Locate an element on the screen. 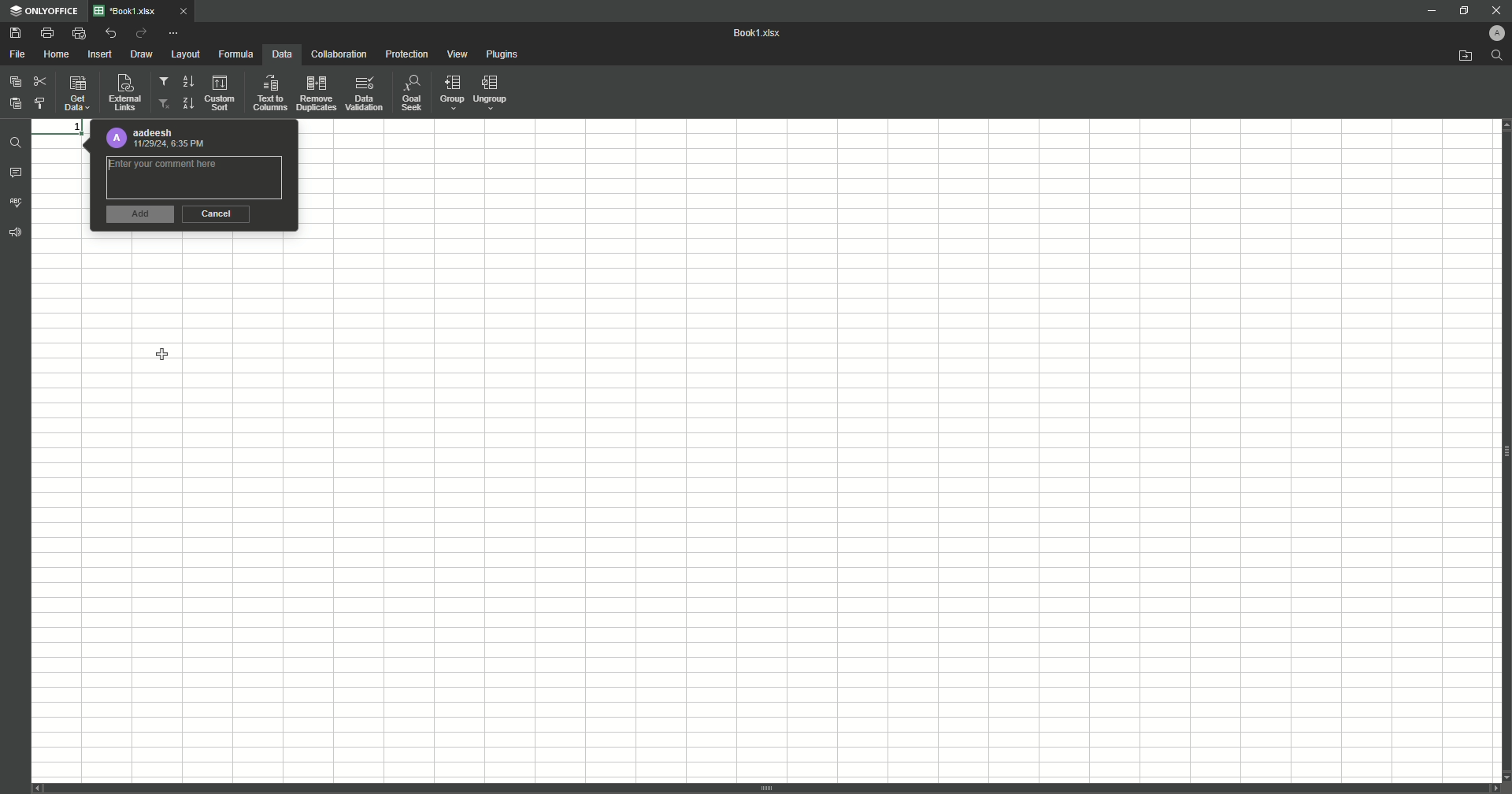 The width and height of the screenshot is (1512, 794). Close is located at coordinates (1491, 9).